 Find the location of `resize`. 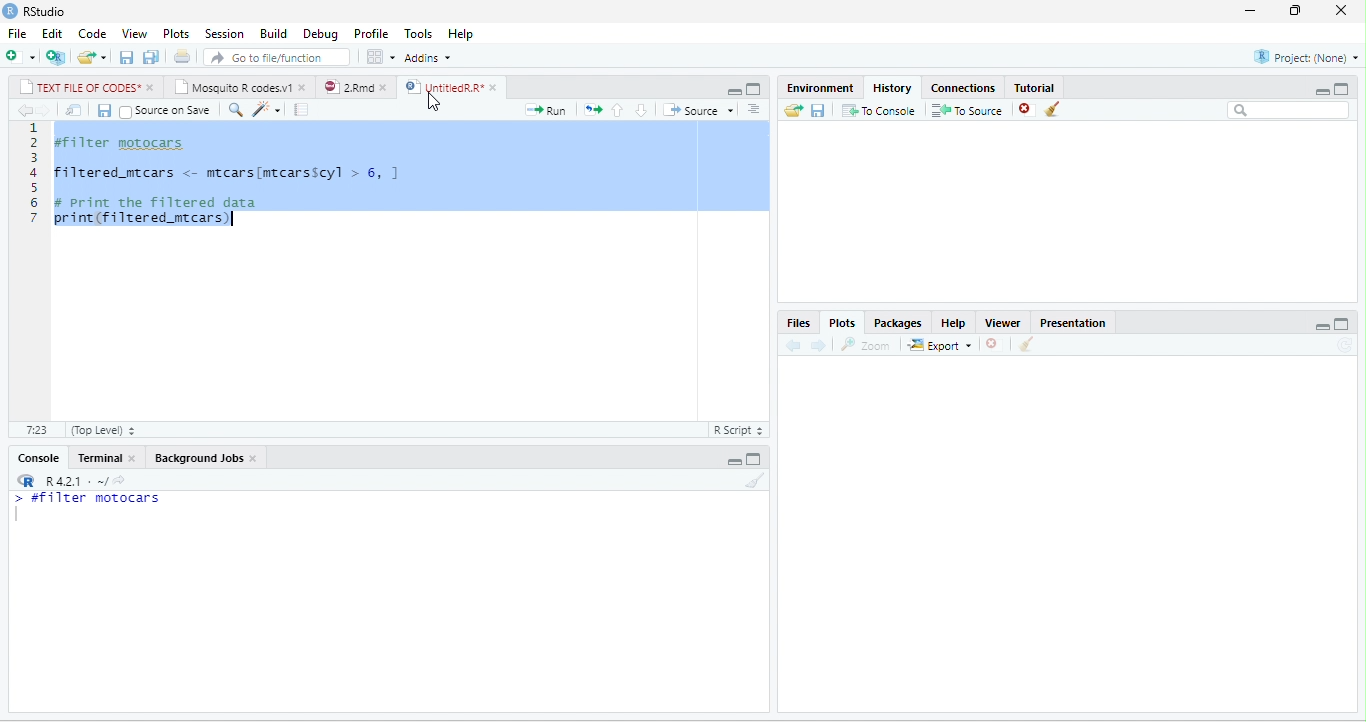

resize is located at coordinates (1292, 11).